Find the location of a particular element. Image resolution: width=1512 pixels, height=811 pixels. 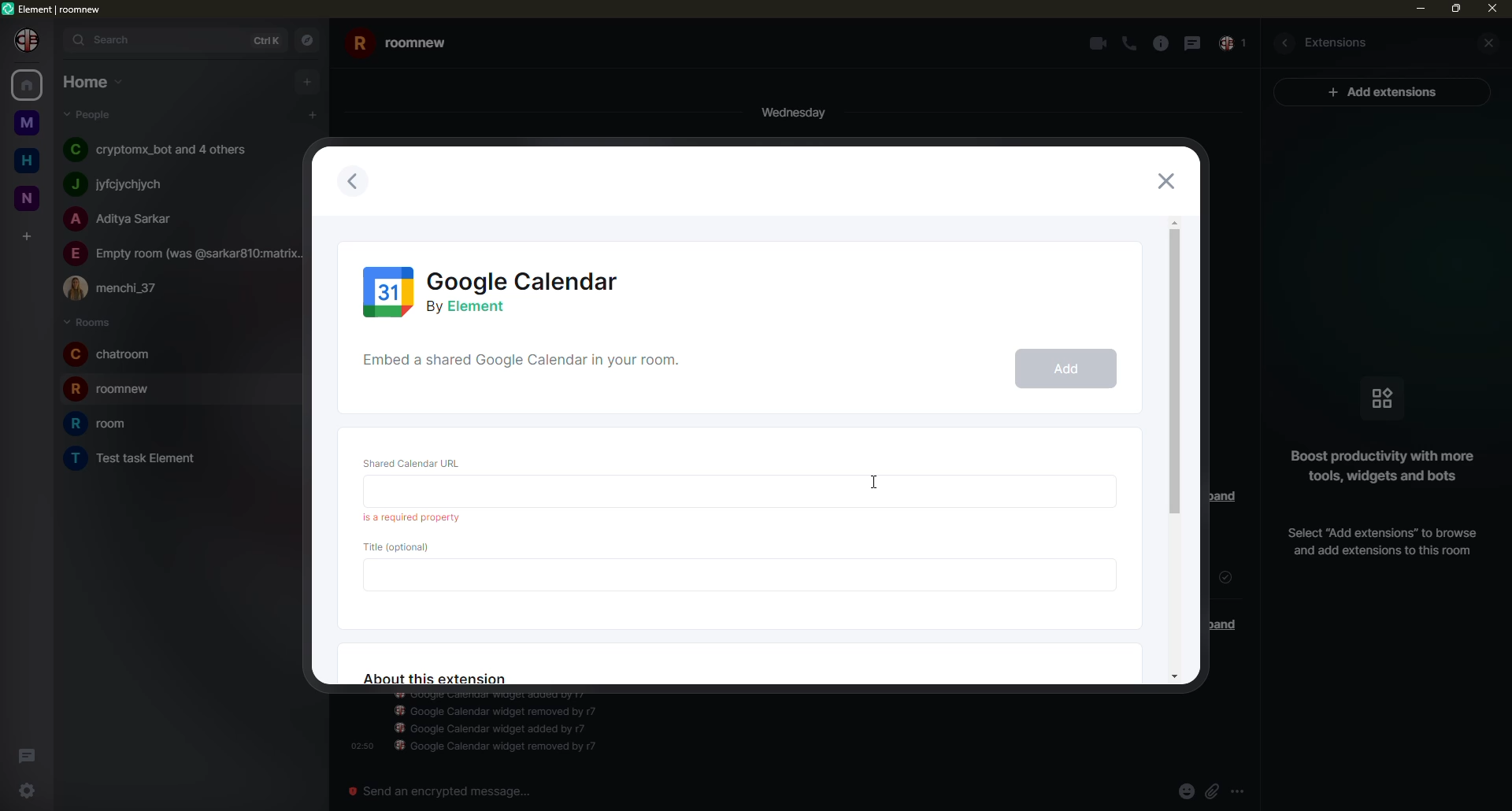

add is located at coordinates (27, 236).